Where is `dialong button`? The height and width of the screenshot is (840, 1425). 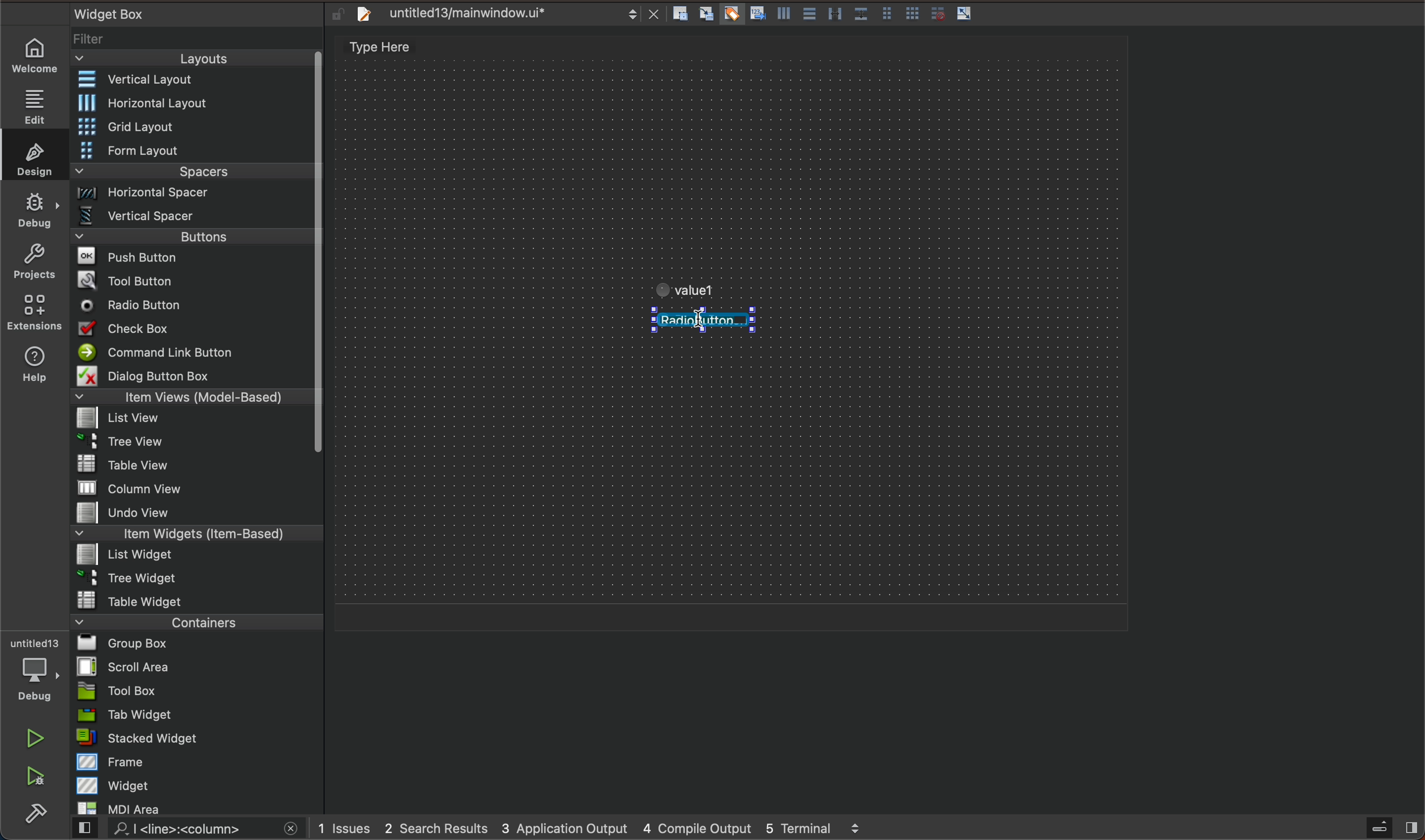
dialong button is located at coordinates (194, 378).